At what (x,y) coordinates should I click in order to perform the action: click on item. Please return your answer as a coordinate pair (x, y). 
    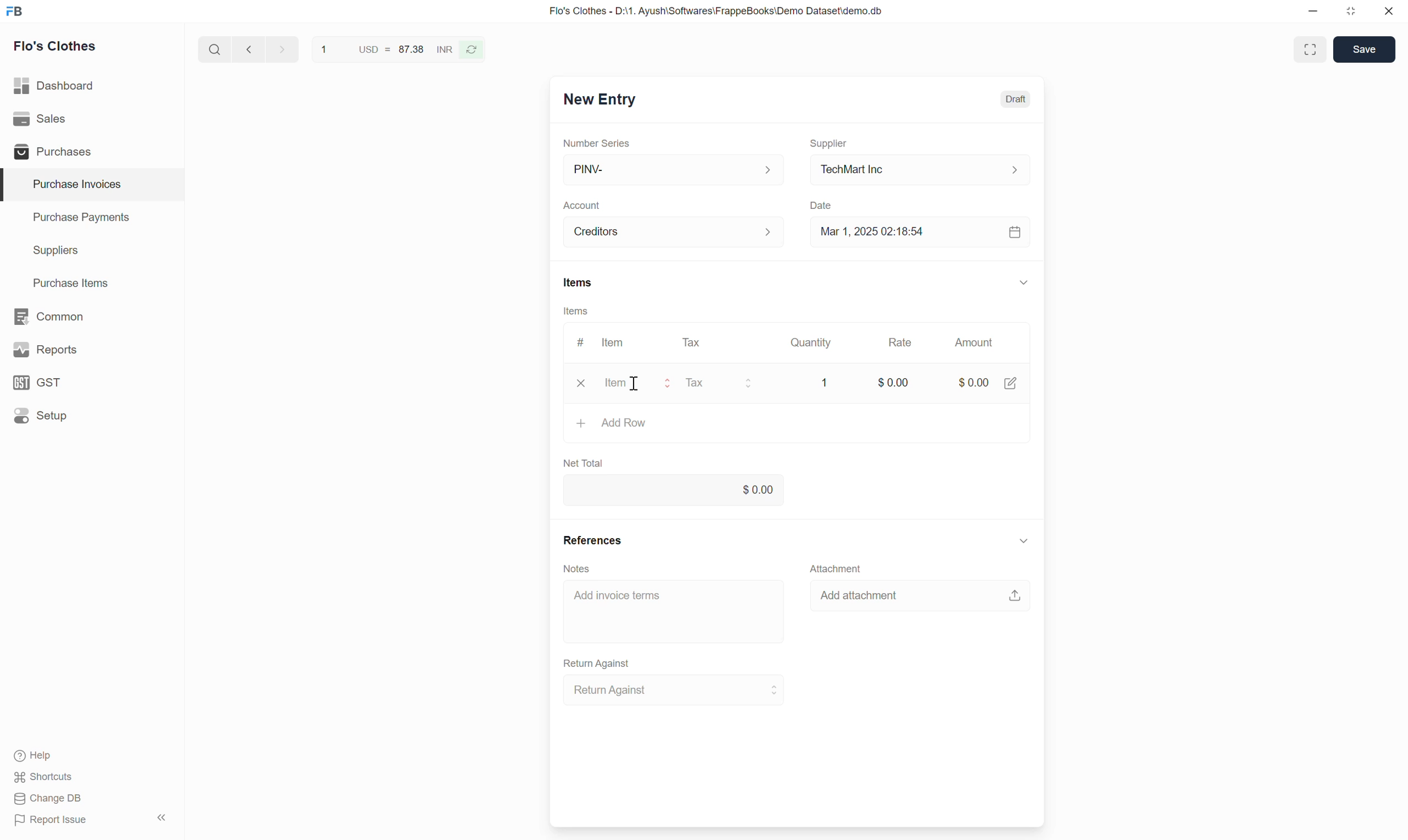
    Looking at the image, I should click on (640, 383).